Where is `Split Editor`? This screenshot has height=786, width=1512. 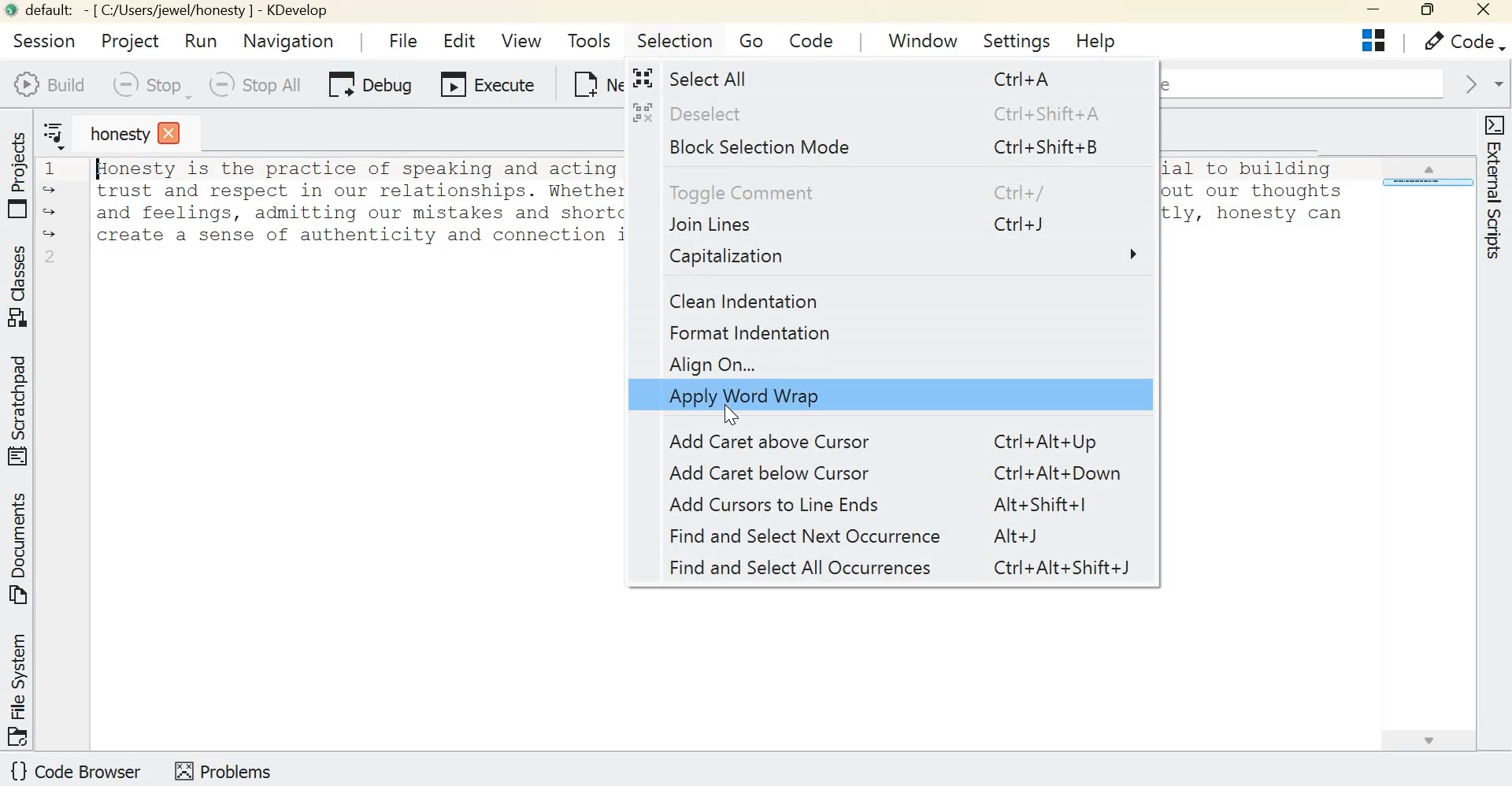 Split Editor is located at coordinates (1373, 40).